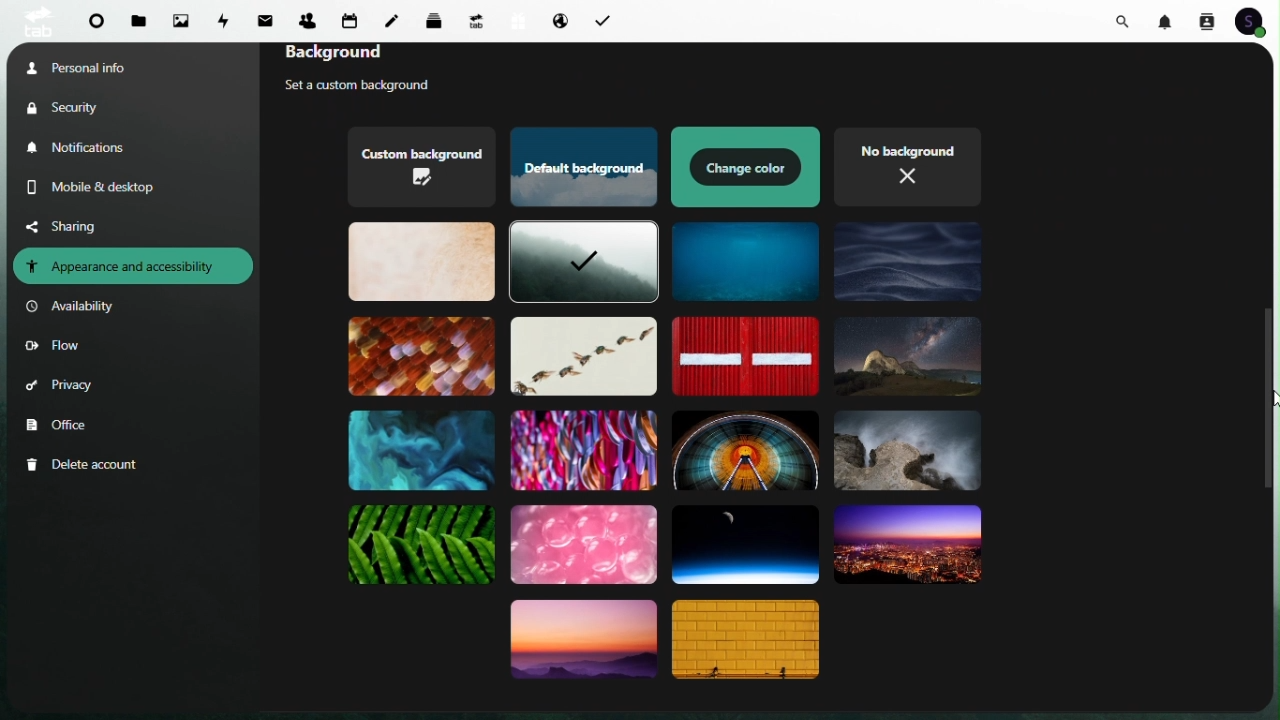 This screenshot has width=1280, height=720. Describe the element at coordinates (583, 646) in the screenshot. I see `Themes` at that location.